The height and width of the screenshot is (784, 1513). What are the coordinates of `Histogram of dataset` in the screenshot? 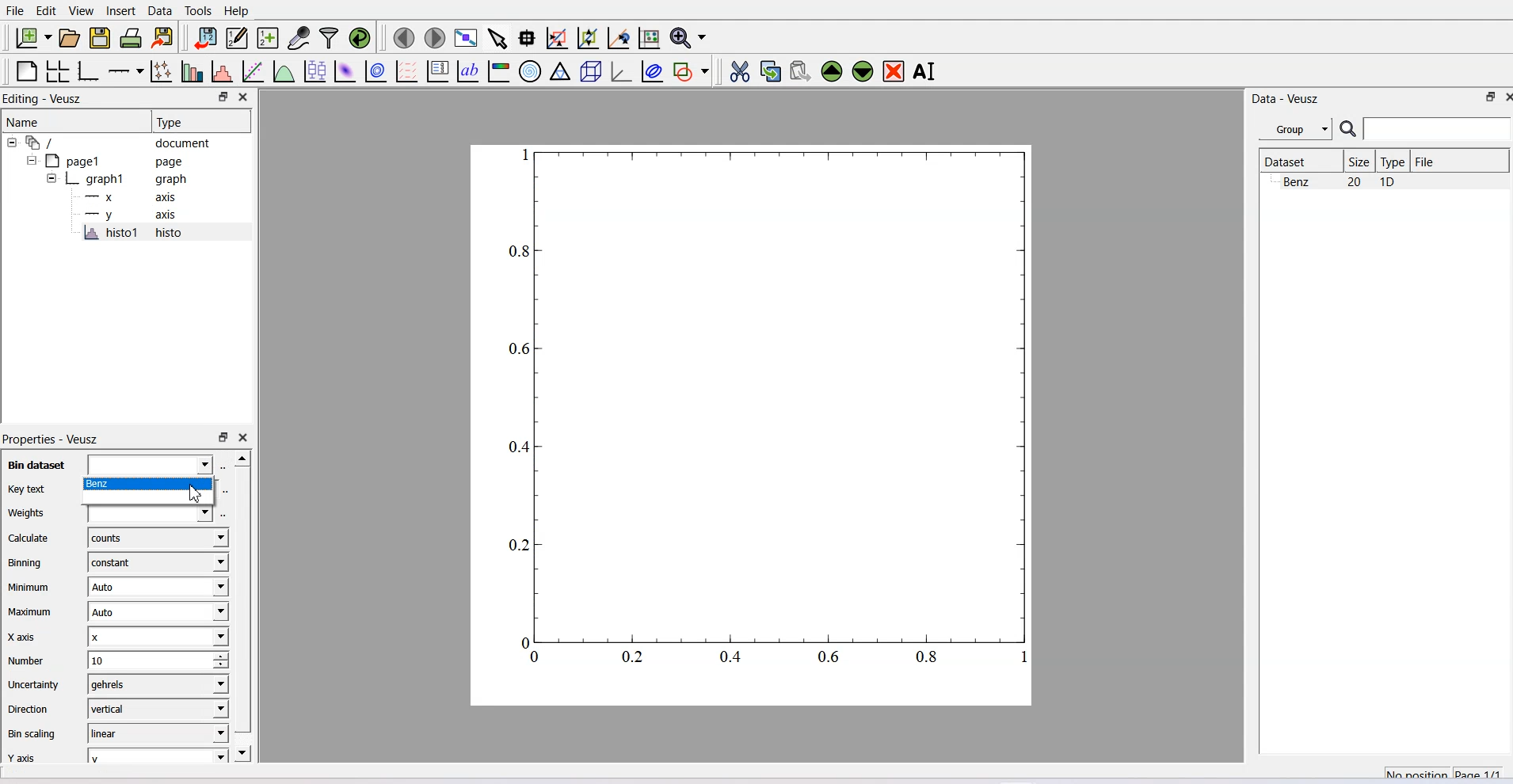 It's located at (221, 70).